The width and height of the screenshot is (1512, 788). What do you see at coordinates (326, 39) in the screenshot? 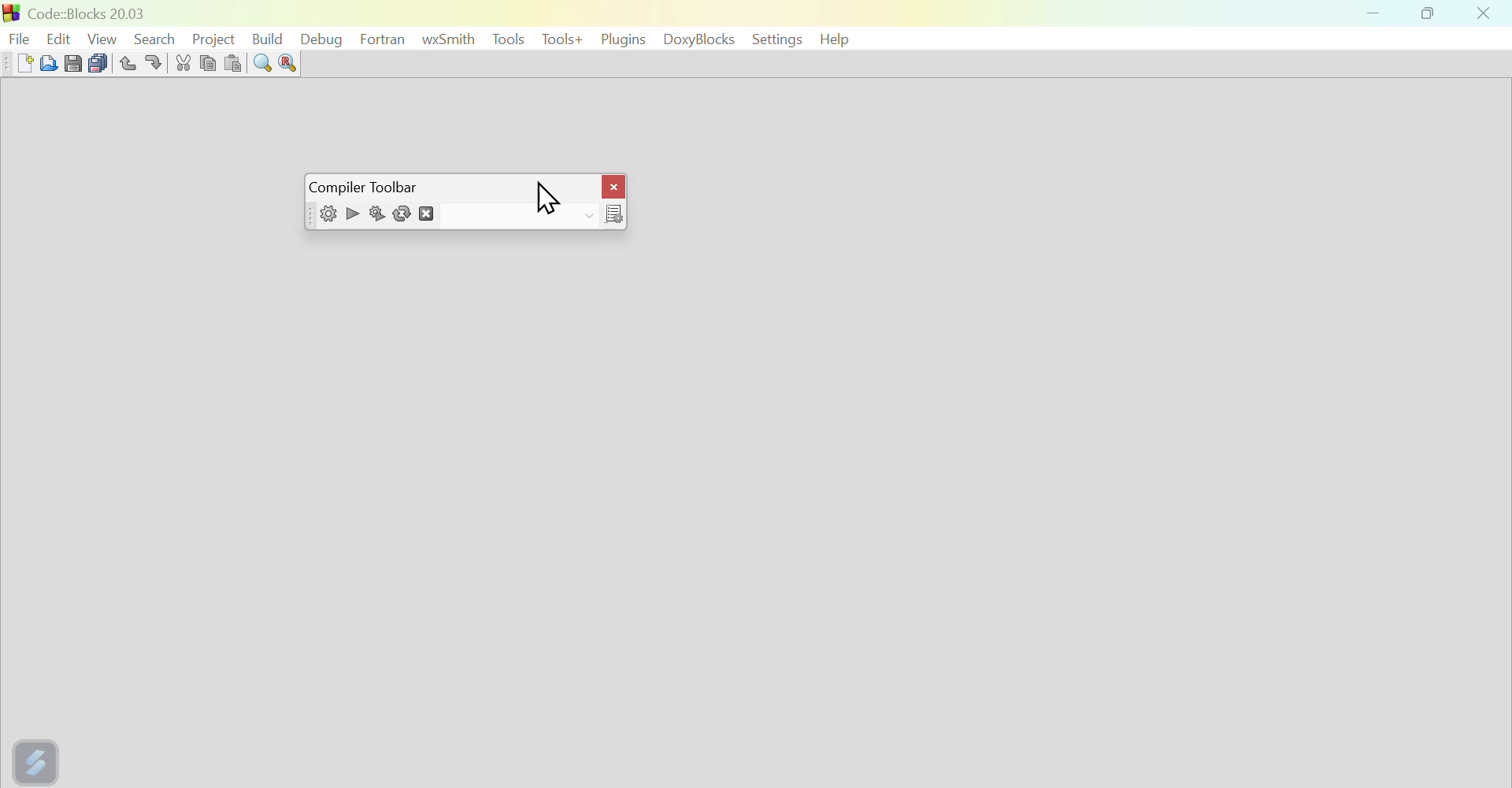
I see `Debug` at bounding box center [326, 39].